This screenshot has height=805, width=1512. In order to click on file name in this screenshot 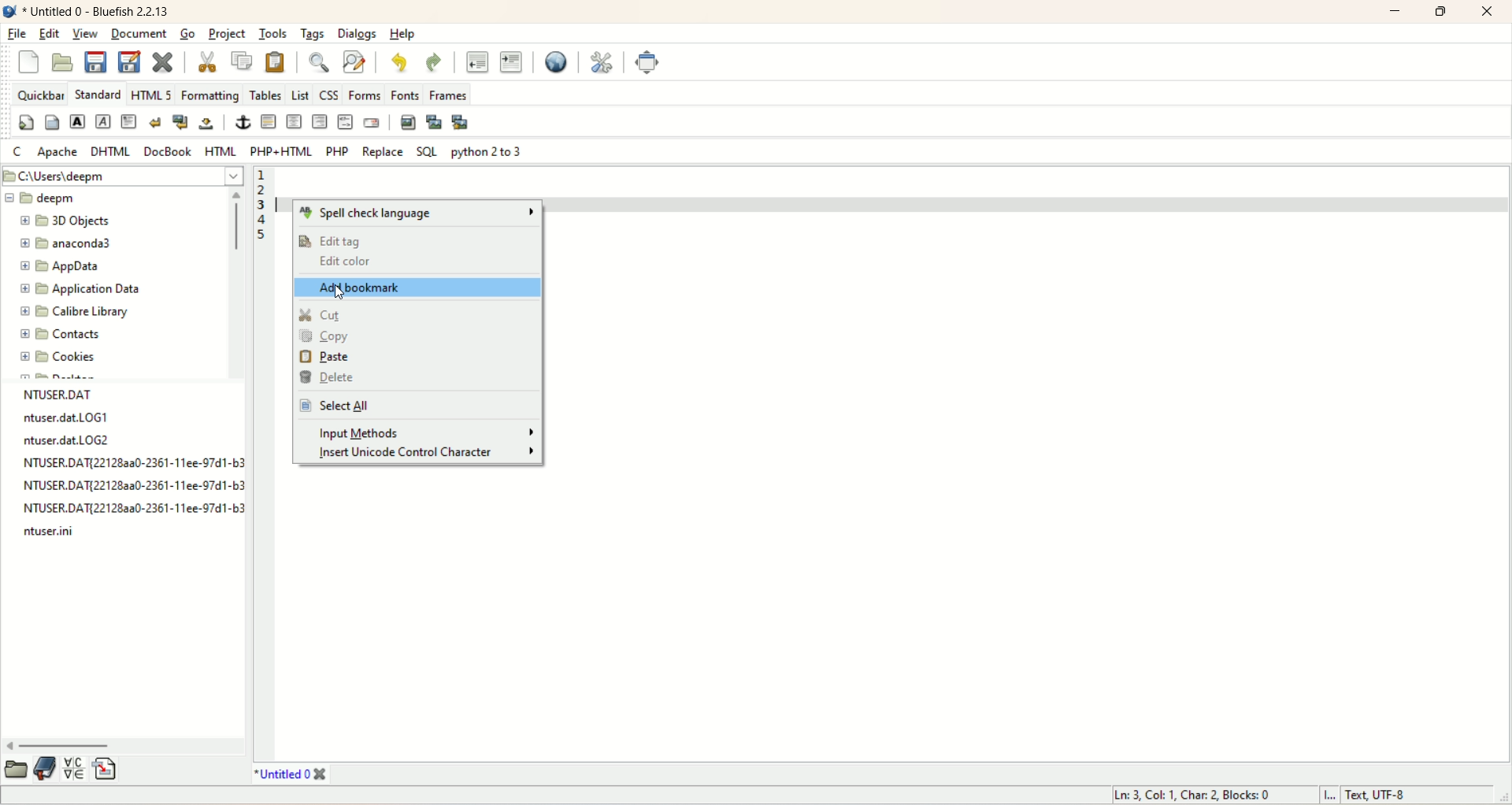, I will do `click(61, 531)`.